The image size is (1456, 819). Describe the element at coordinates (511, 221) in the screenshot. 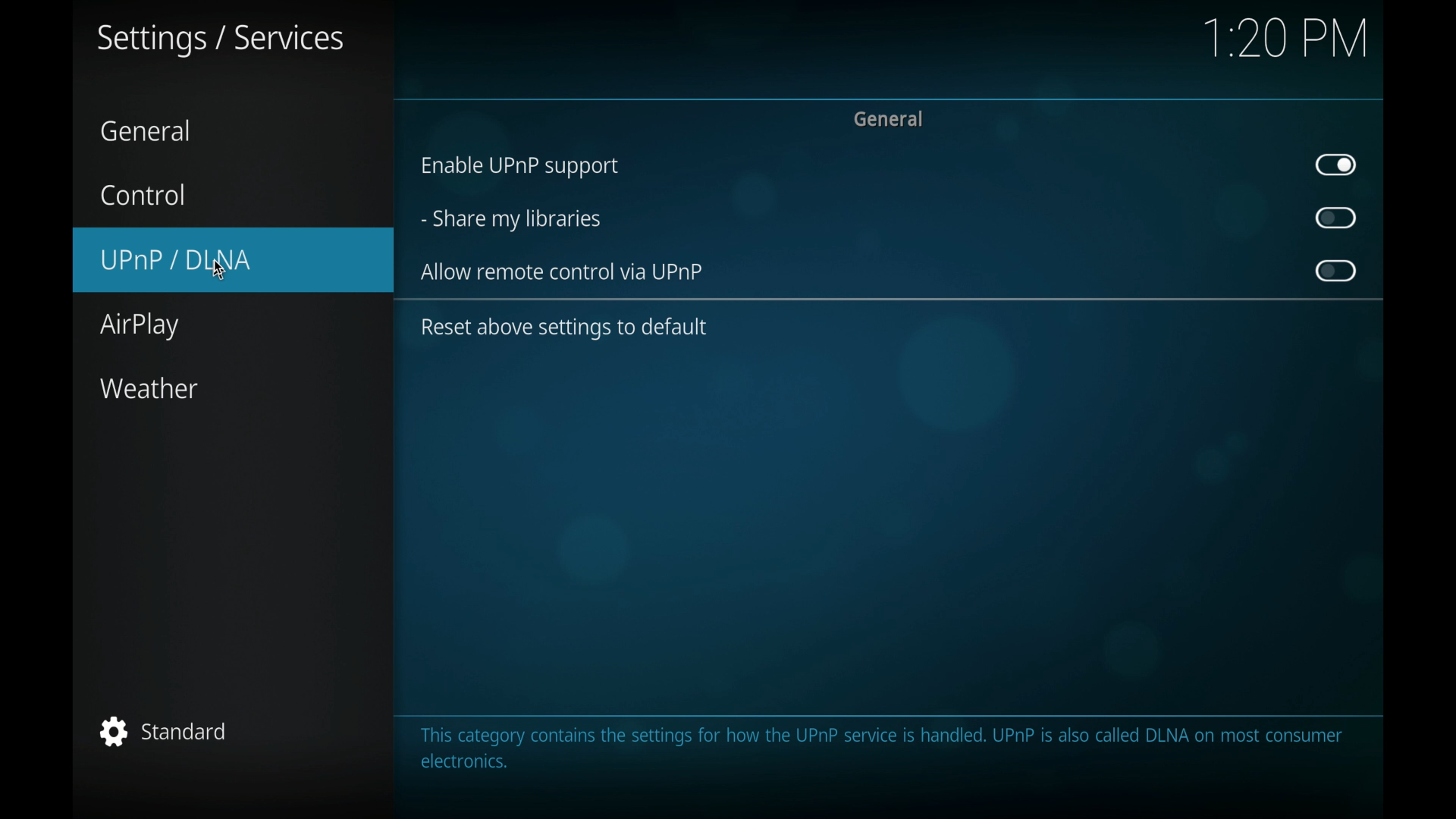

I see `share my libraries` at that location.